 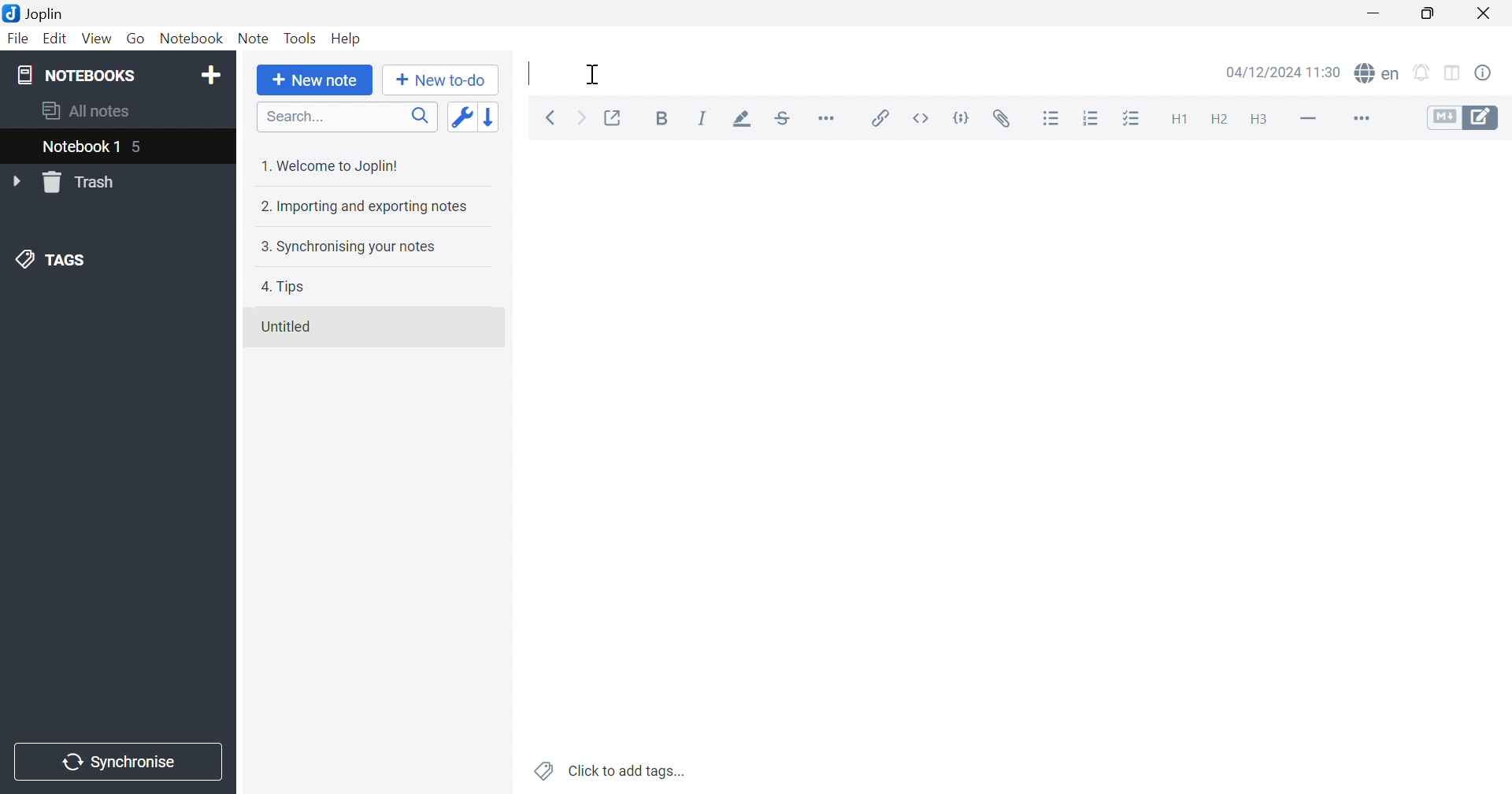 What do you see at coordinates (612, 117) in the screenshot?
I see `Toggle external editing` at bounding box center [612, 117].